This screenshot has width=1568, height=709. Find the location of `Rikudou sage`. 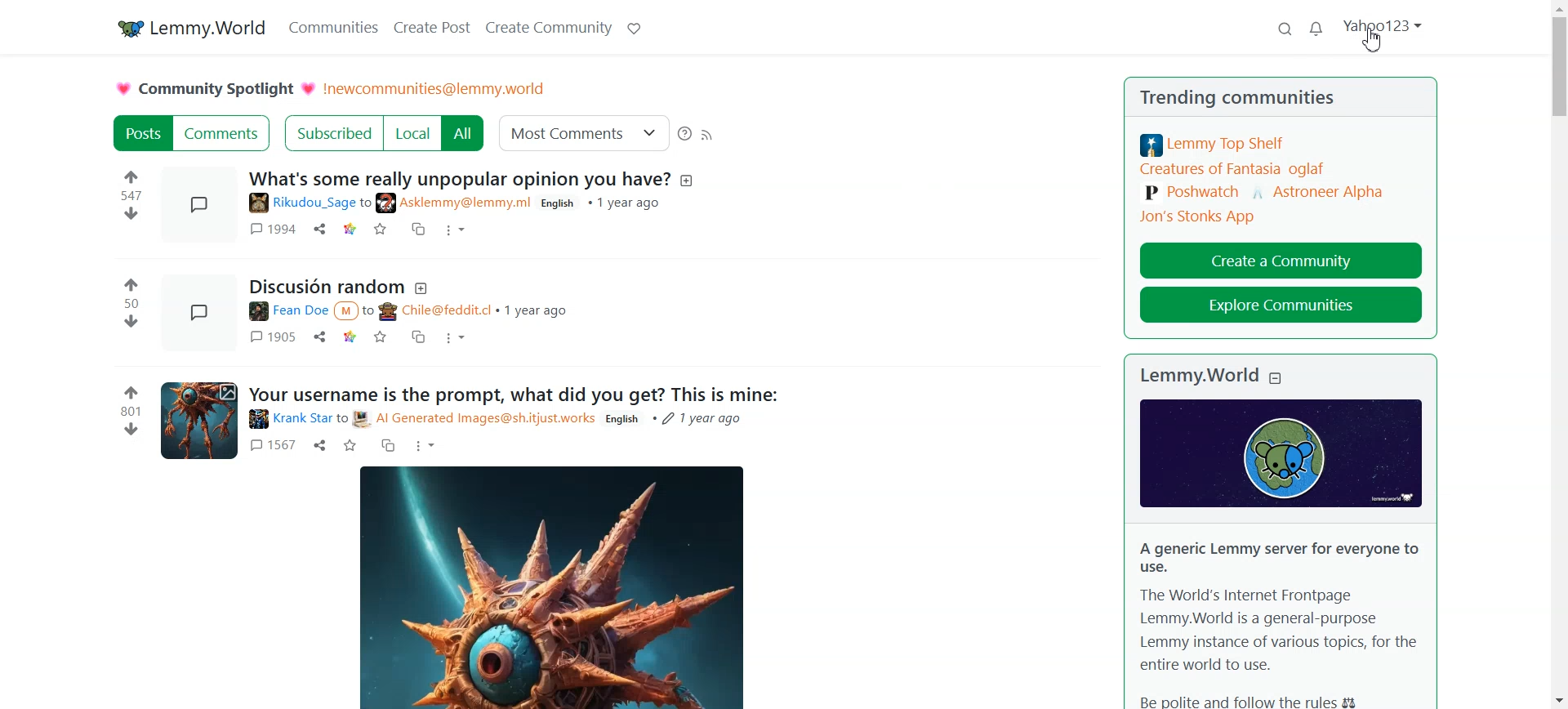

Rikudou sage is located at coordinates (301, 203).